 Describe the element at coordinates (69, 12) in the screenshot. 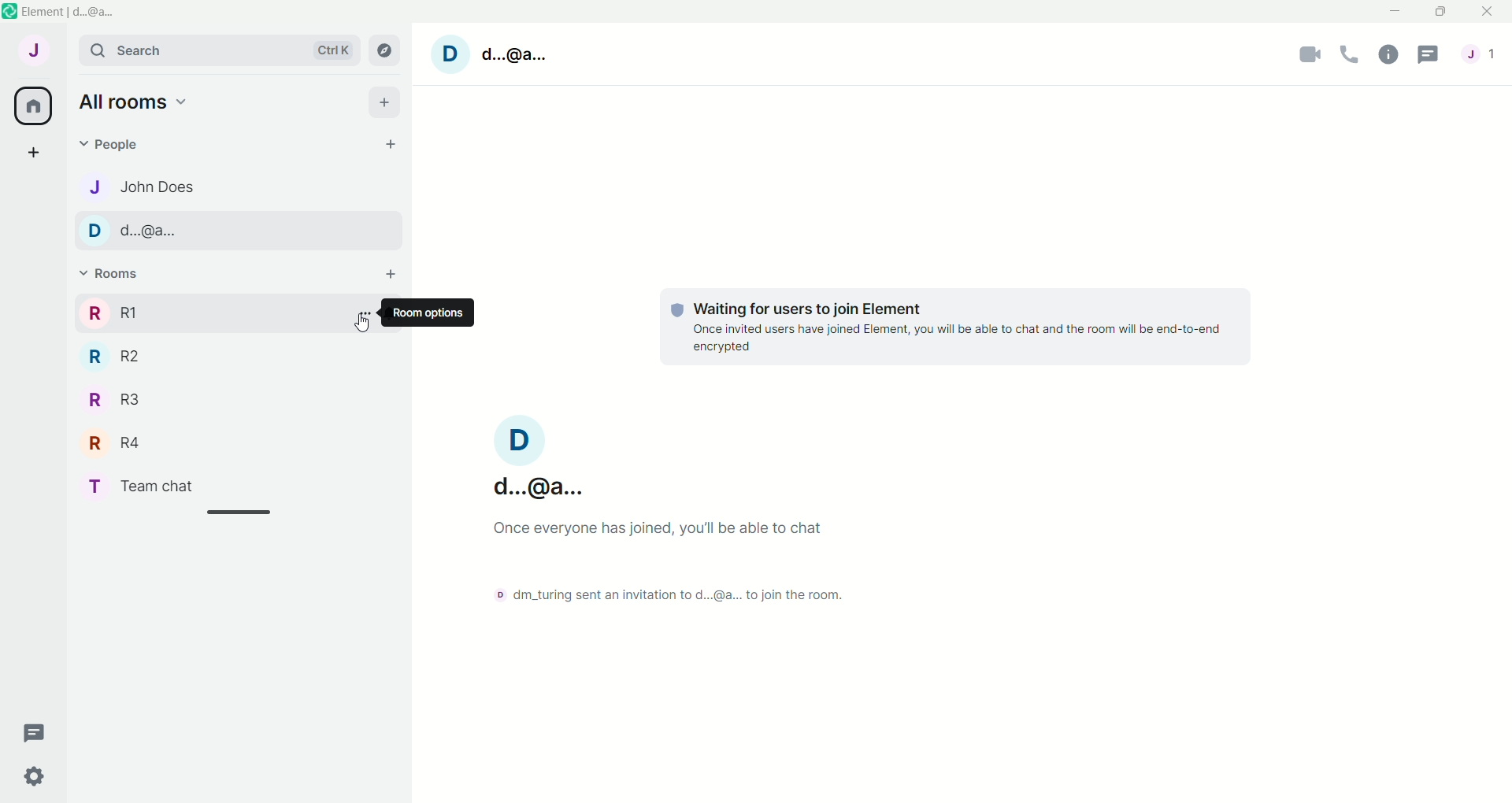

I see `Element | d..@a...` at that location.